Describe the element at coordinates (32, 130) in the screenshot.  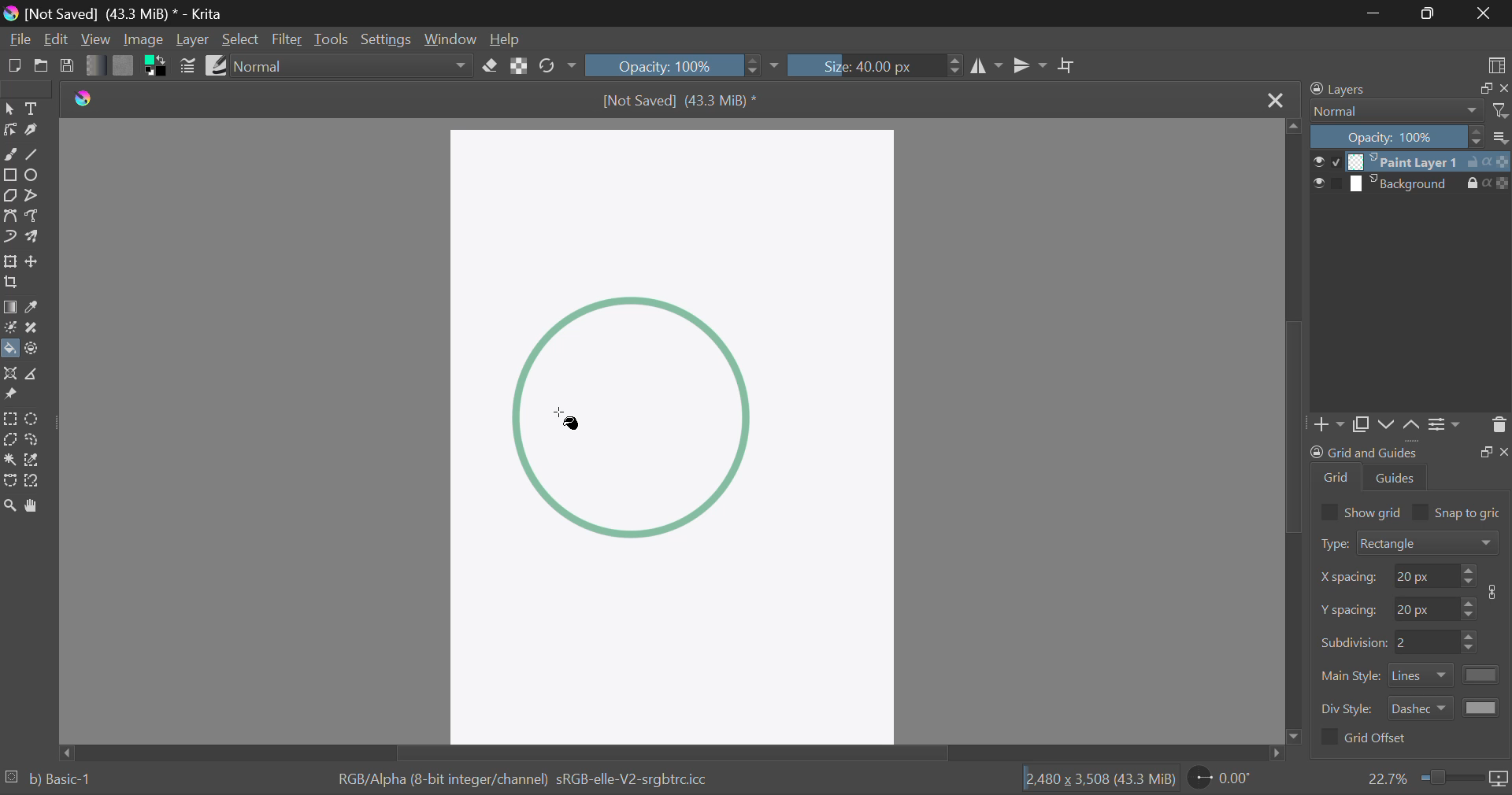
I see `Calligraphic Tool` at that location.